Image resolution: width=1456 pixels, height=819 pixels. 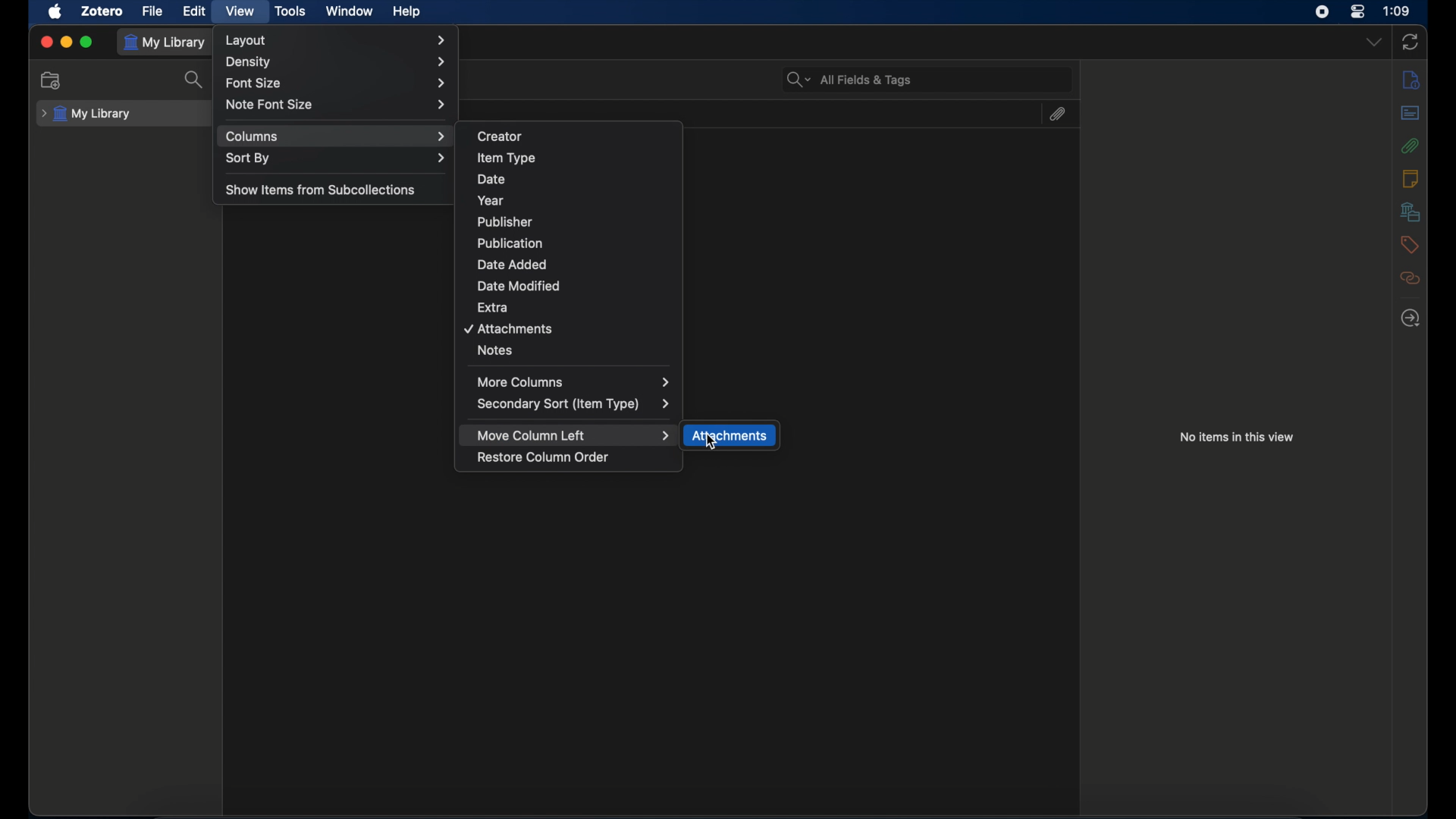 What do you see at coordinates (337, 105) in the screenshot?
I see `note font size` at bounding box center [337, 105].